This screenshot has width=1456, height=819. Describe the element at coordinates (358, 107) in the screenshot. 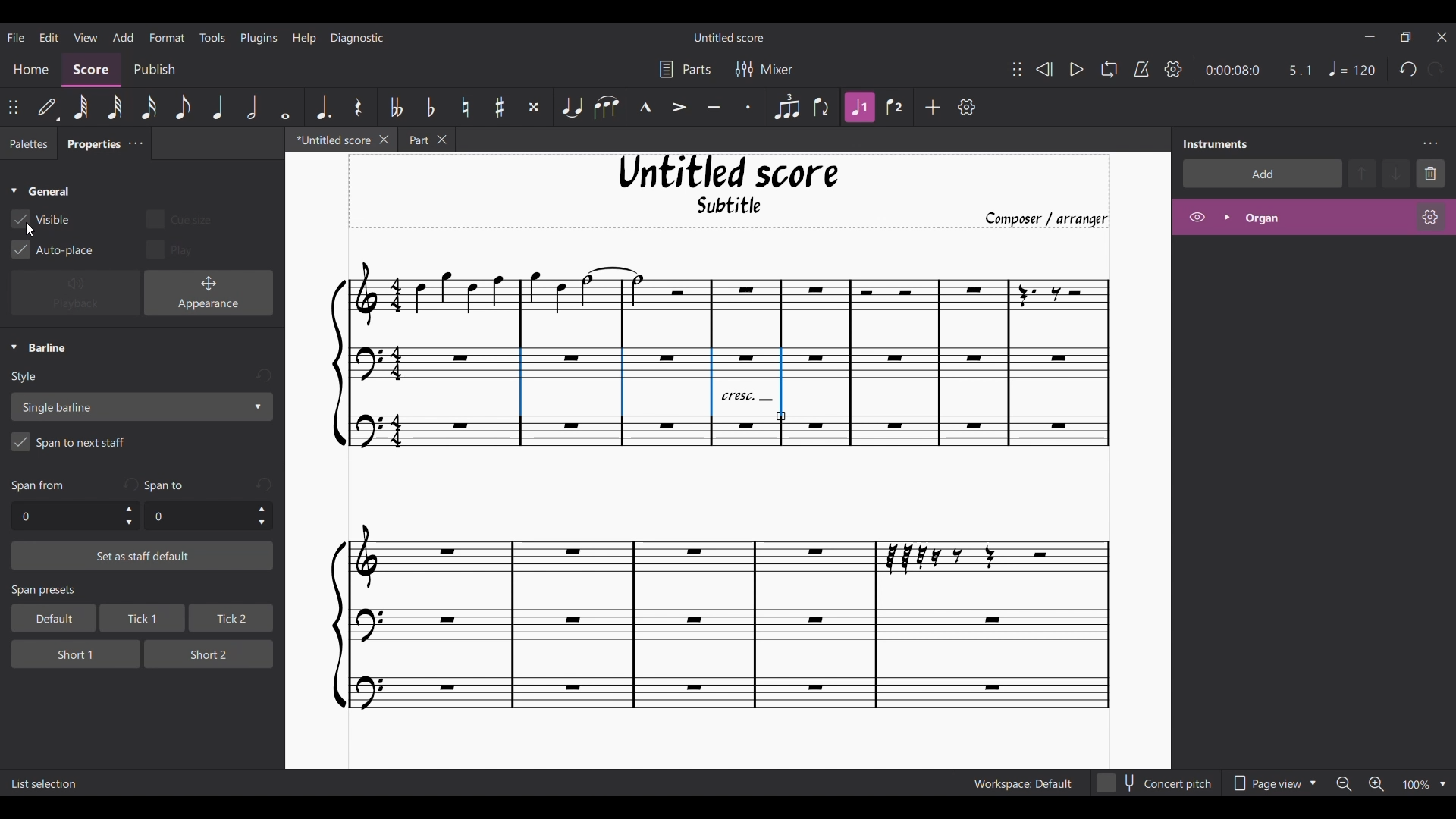

I see `Rest` at that location.